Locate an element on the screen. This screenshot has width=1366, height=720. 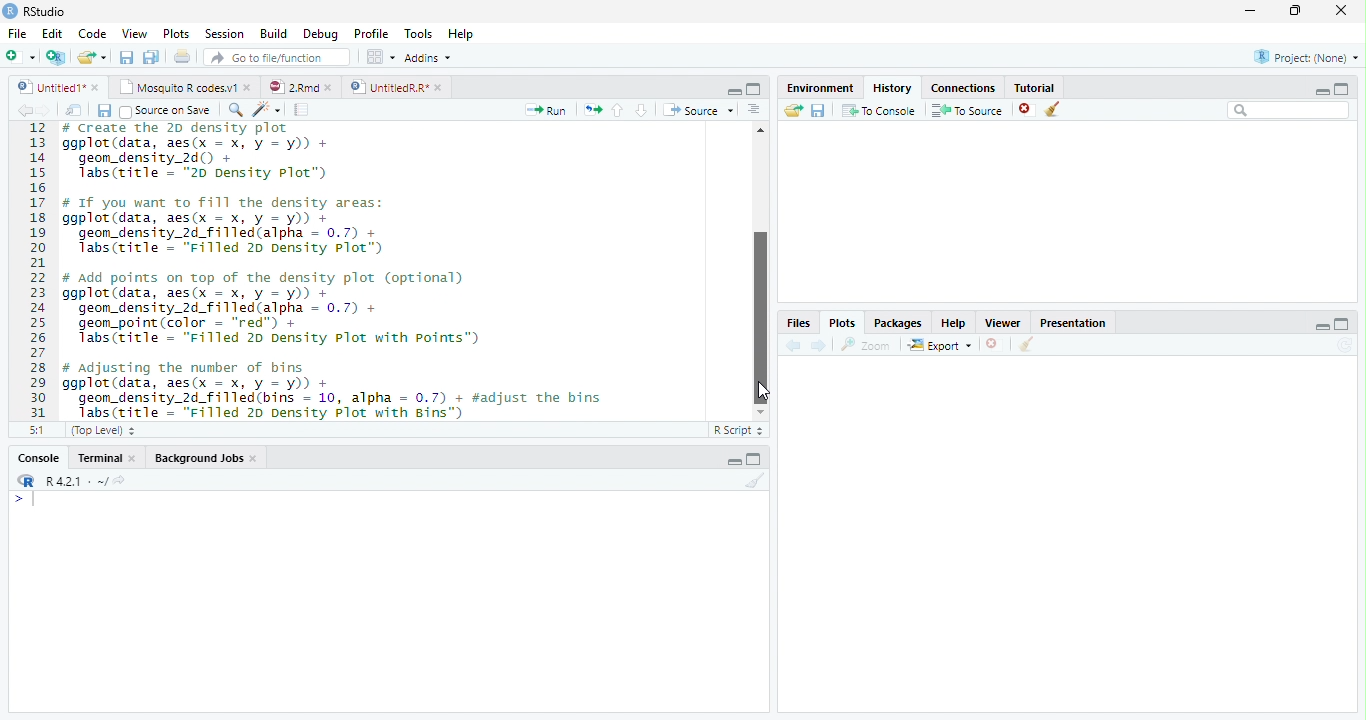
New file is located at coordinates (20, 57).